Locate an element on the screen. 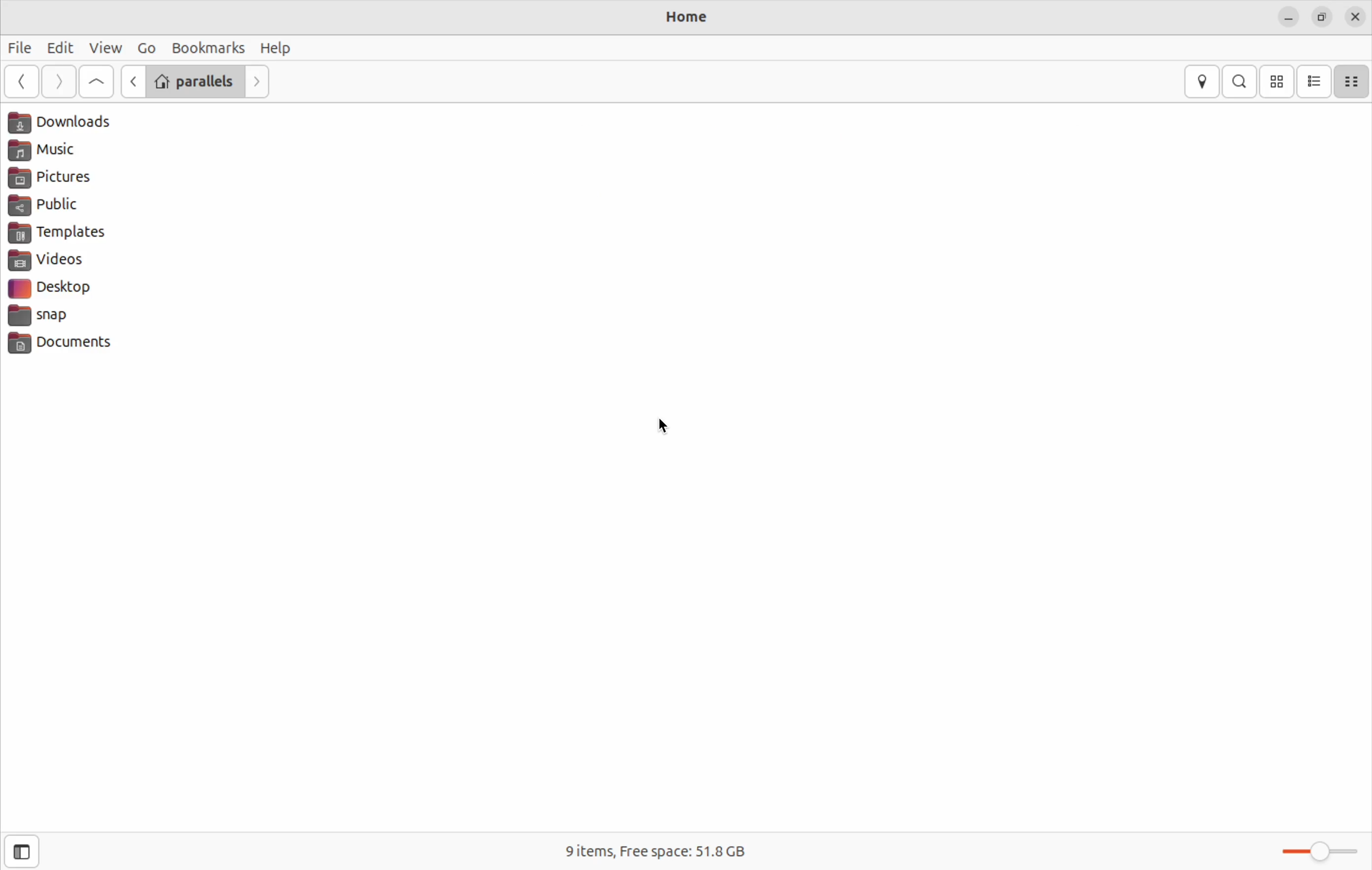  go back is located at coordinates (132, 81).